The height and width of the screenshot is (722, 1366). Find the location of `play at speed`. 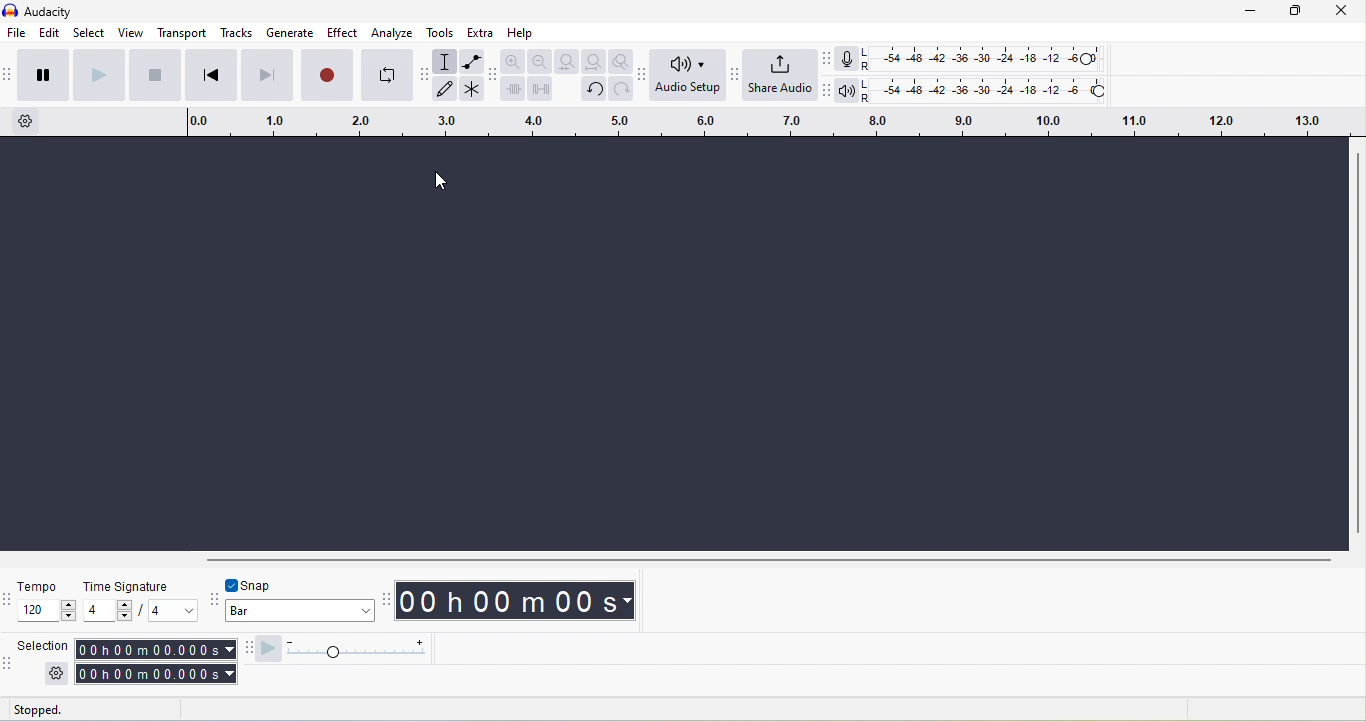

play at speed is located at coordinates (355, 649).